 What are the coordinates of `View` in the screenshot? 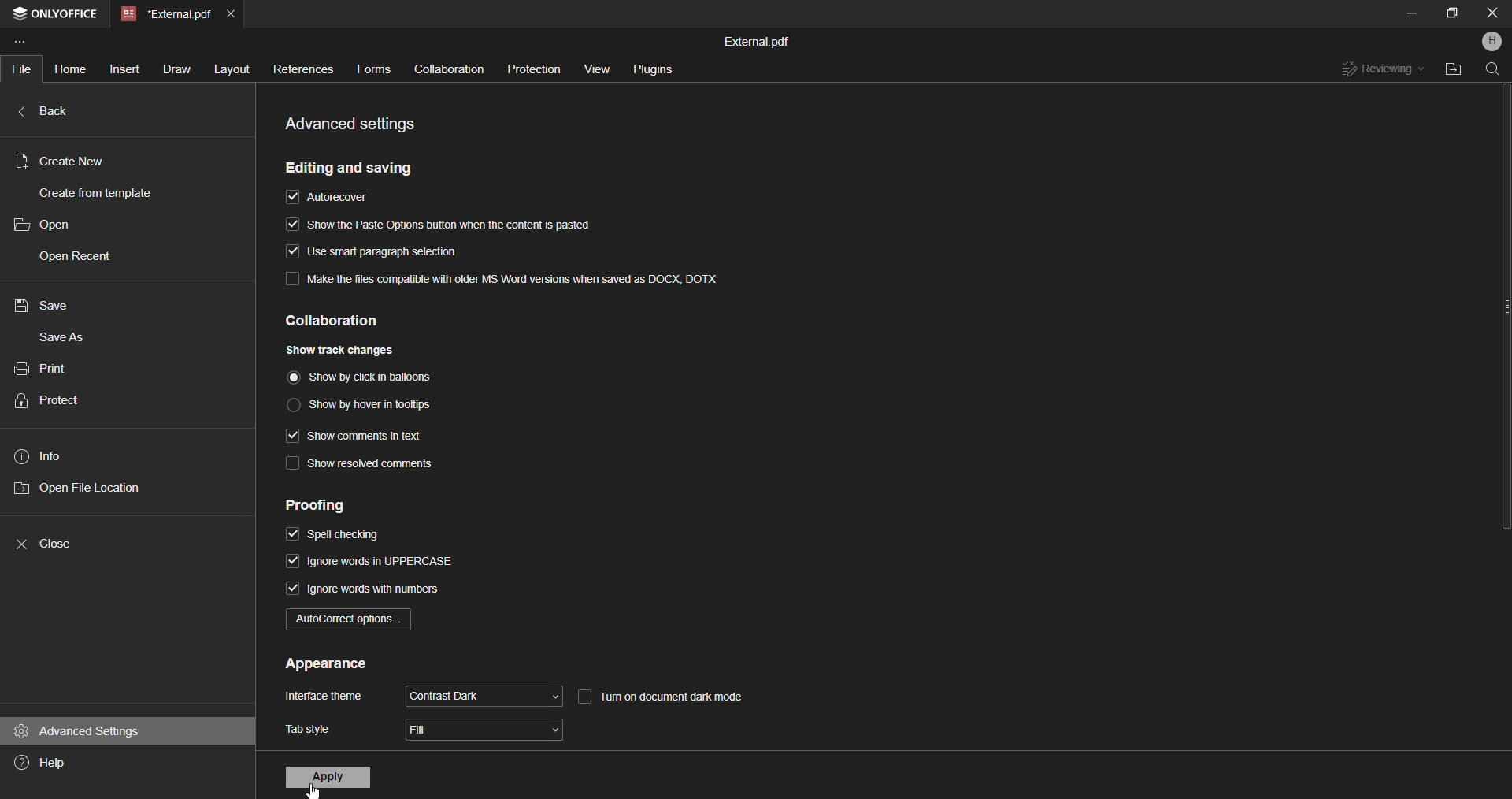 It's located at (595, 68).